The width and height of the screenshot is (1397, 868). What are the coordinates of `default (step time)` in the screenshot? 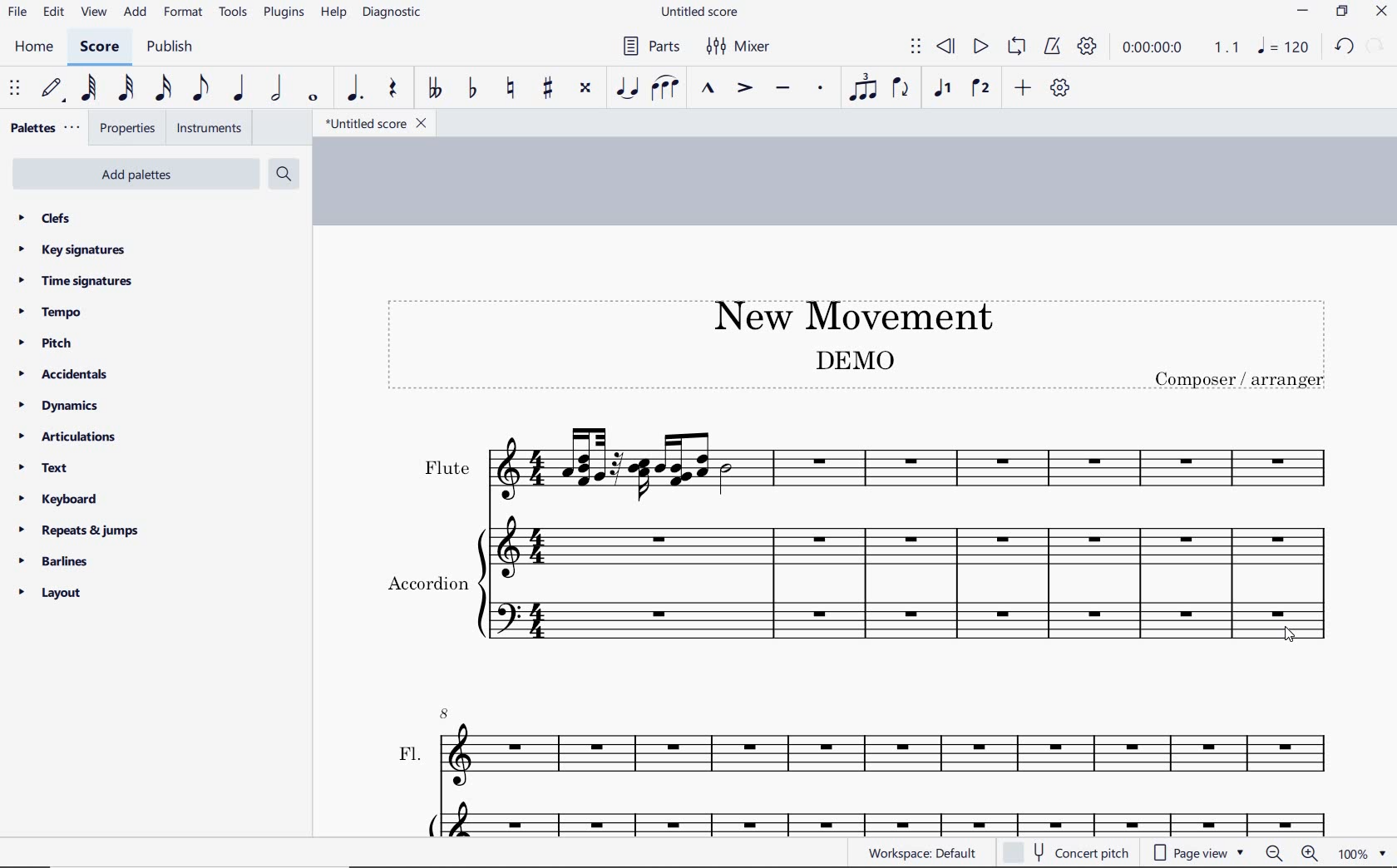 It's located at (53, 89).